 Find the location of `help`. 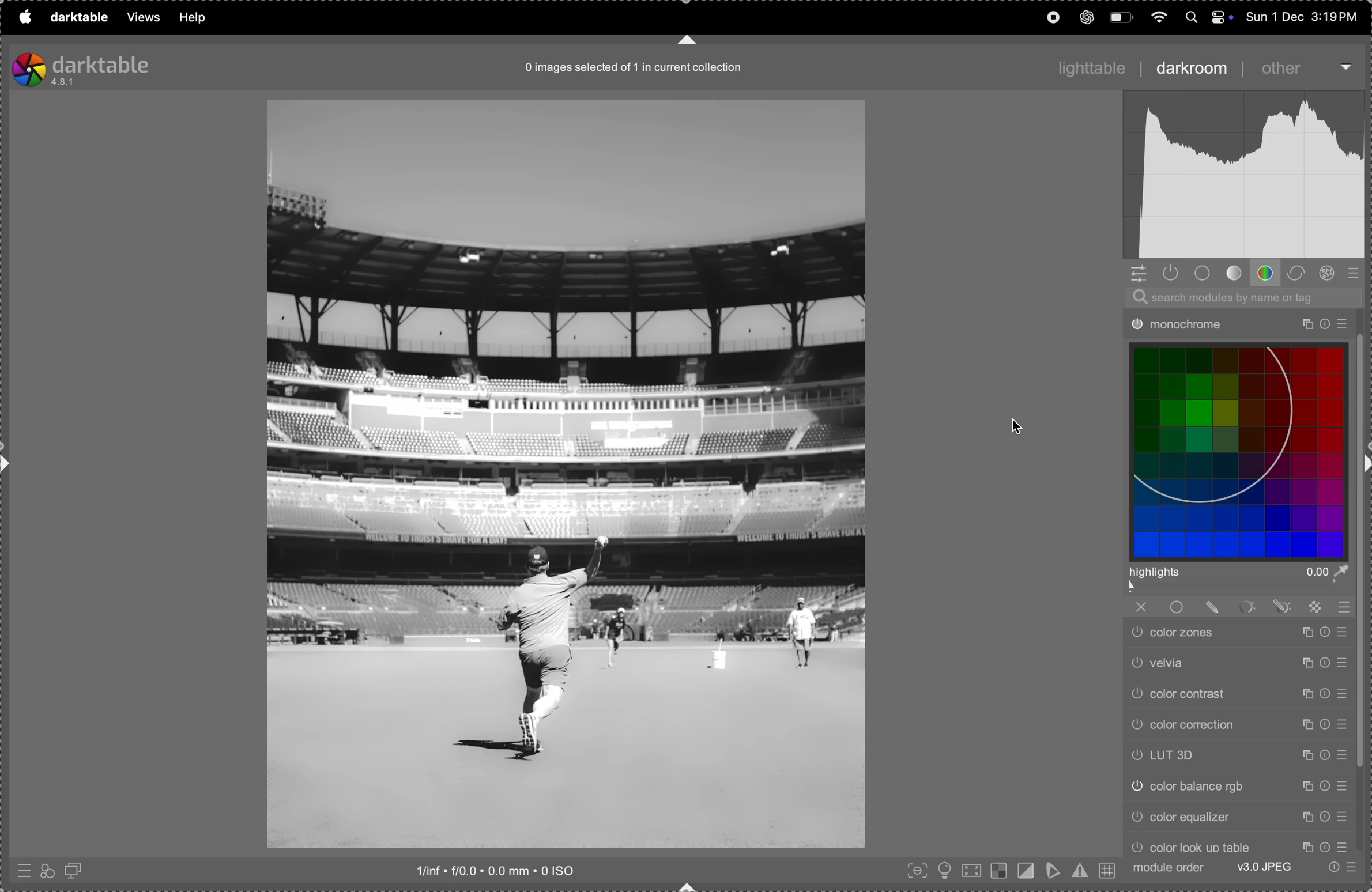

help is located at coordinates (197, 17).